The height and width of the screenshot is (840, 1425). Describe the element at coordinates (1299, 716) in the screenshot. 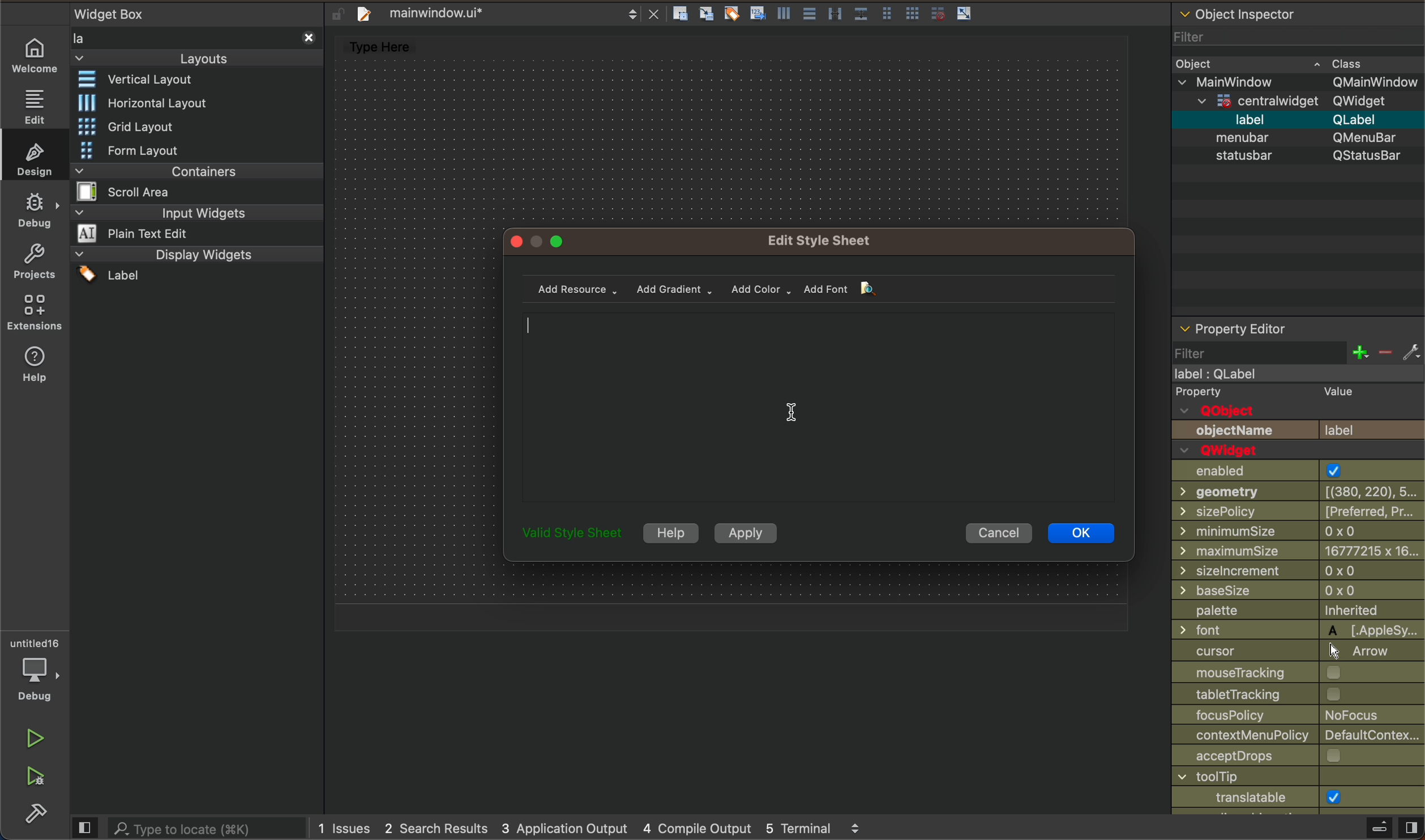

I see `focus policy` at that location.